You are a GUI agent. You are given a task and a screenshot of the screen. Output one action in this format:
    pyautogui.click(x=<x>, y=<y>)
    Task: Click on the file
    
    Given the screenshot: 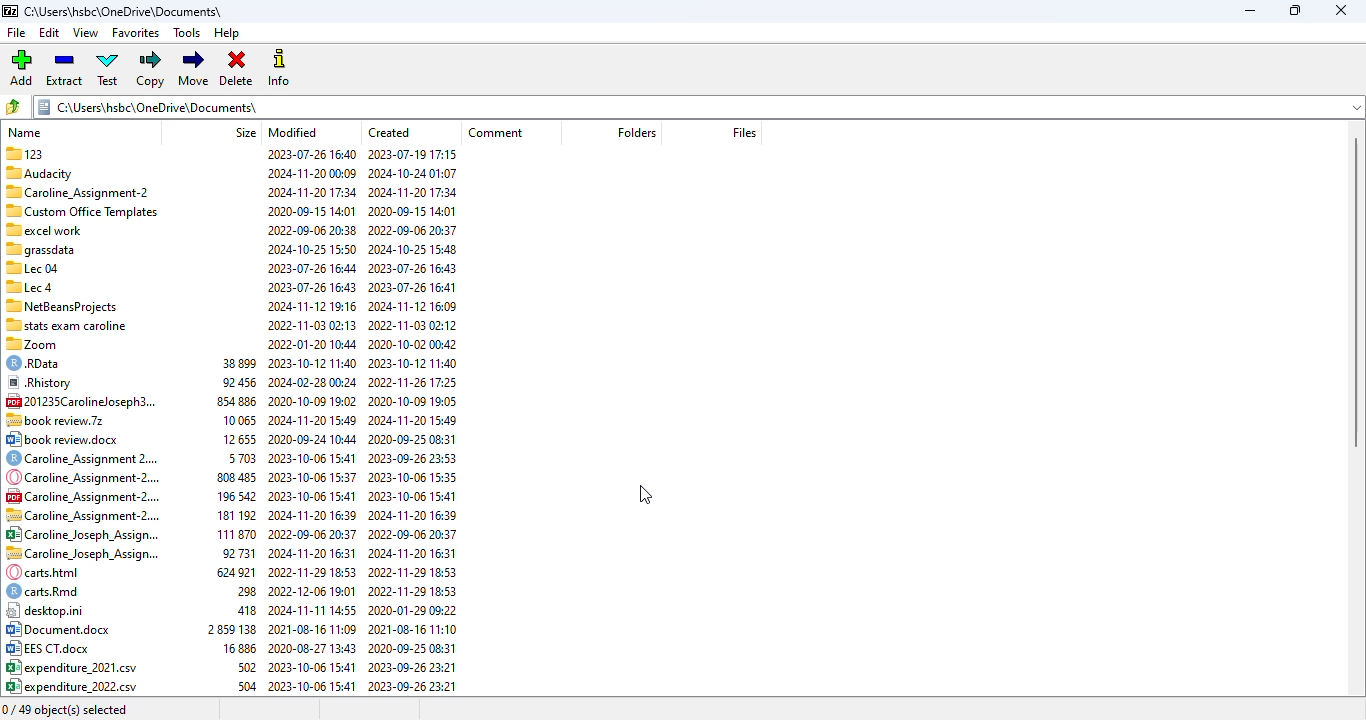 What is the action you would take?
    pyautogui.click(x=16, y=32)
    